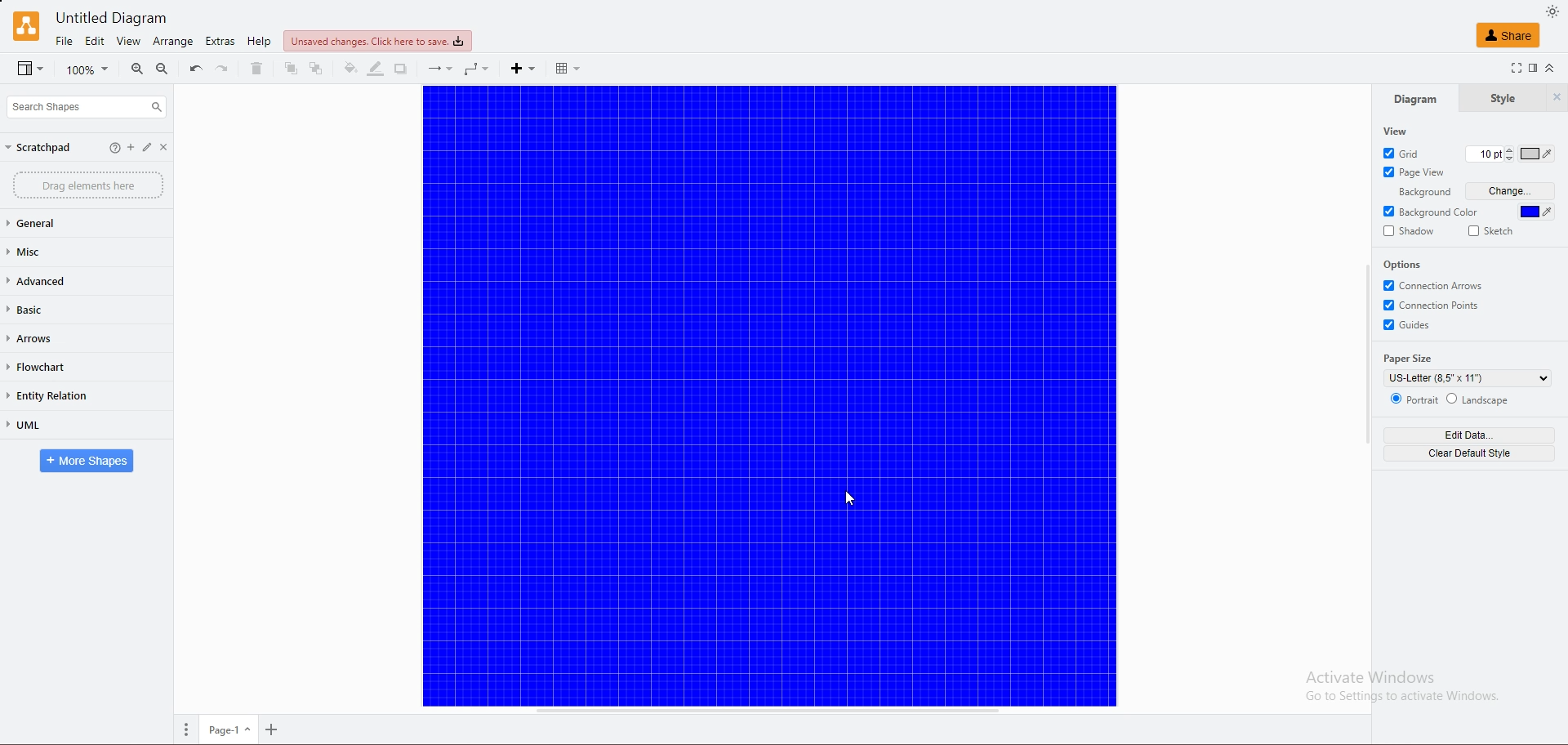 This screenshot has height=745, width=1568. Describe the element at coordinates (1515, 68) in the screenshot. I see `full screen` at that location.